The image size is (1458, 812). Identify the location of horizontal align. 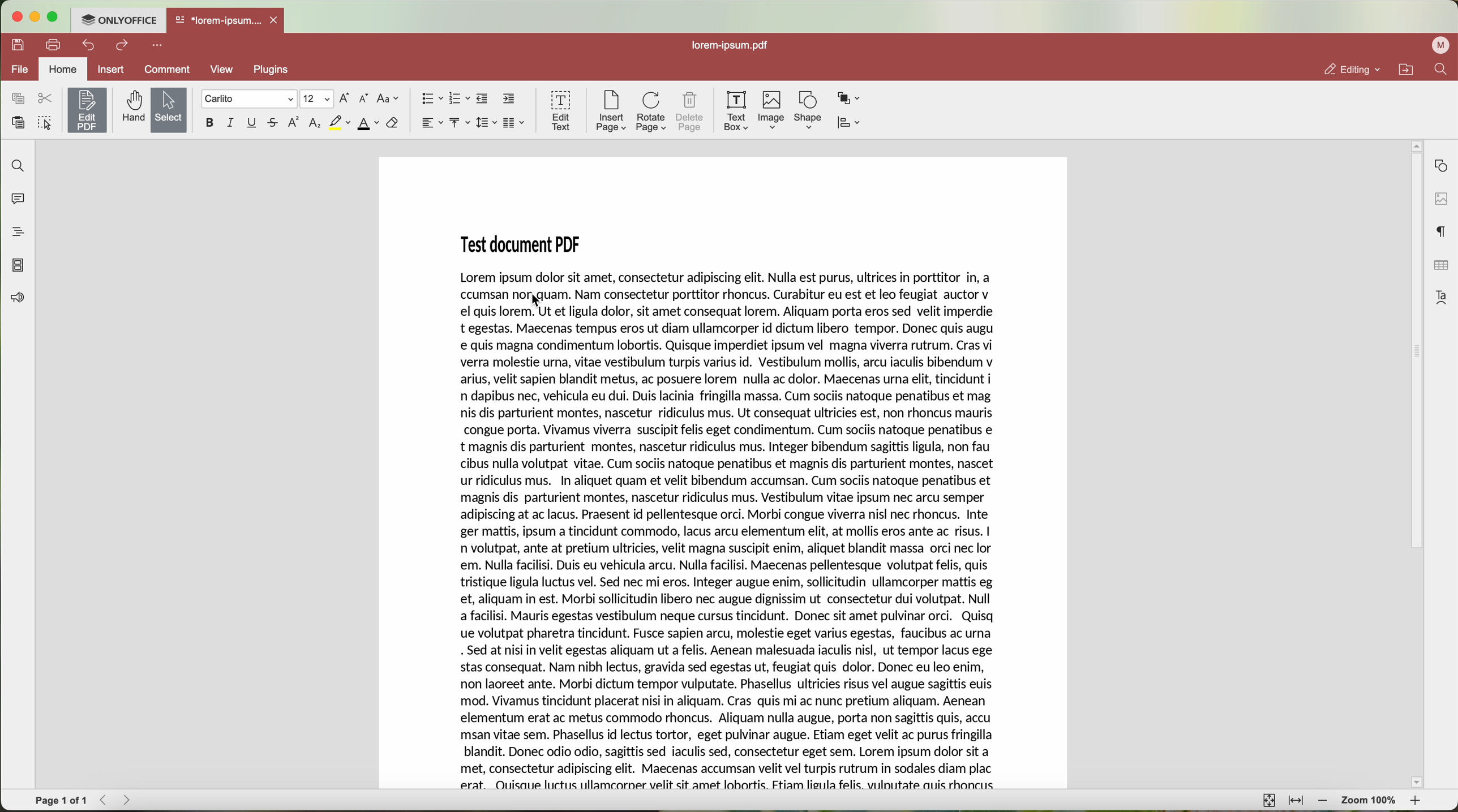
(431, 122).